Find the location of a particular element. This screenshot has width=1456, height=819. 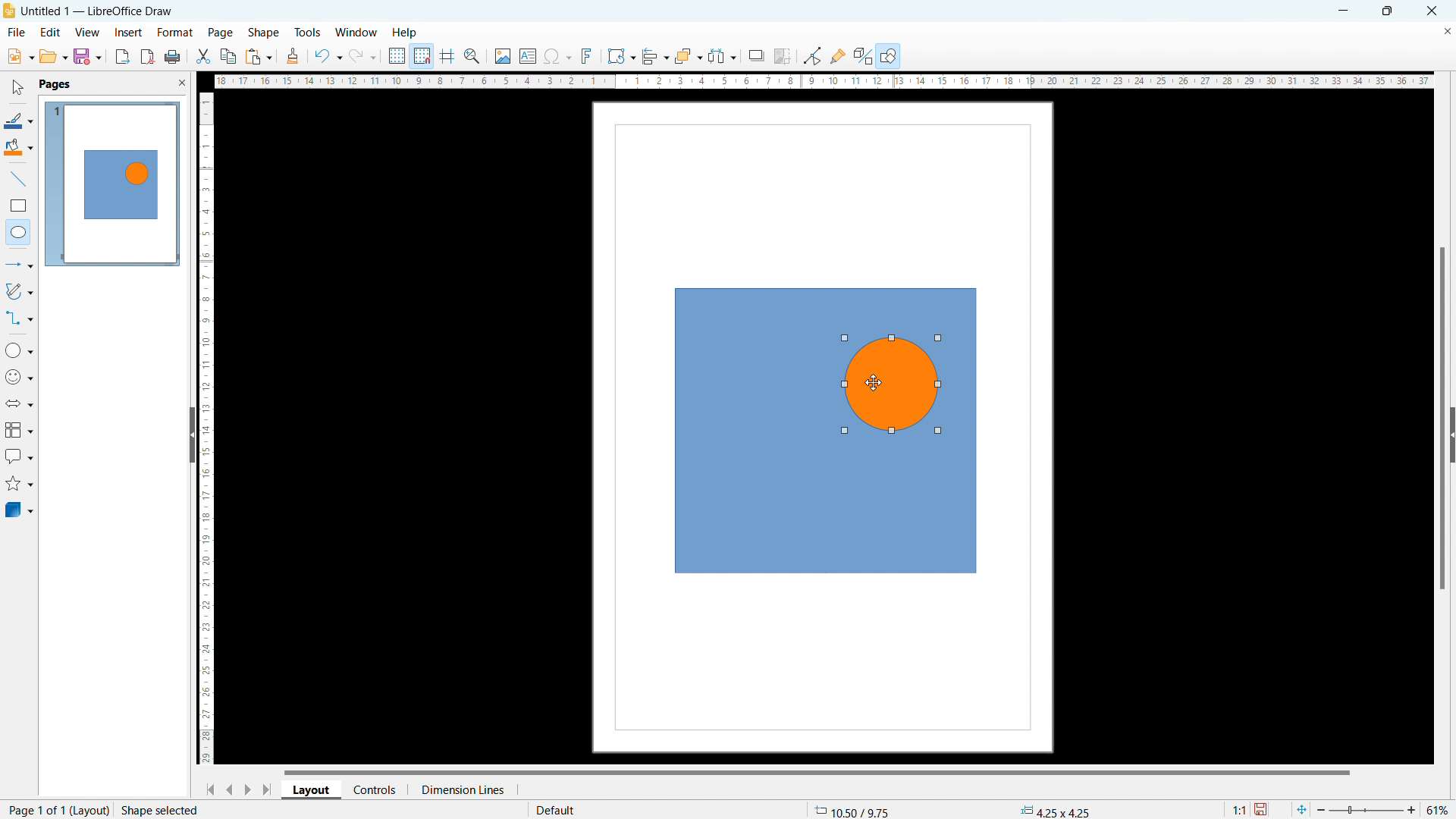

symbol shapes is located at coordinates (20, 377).